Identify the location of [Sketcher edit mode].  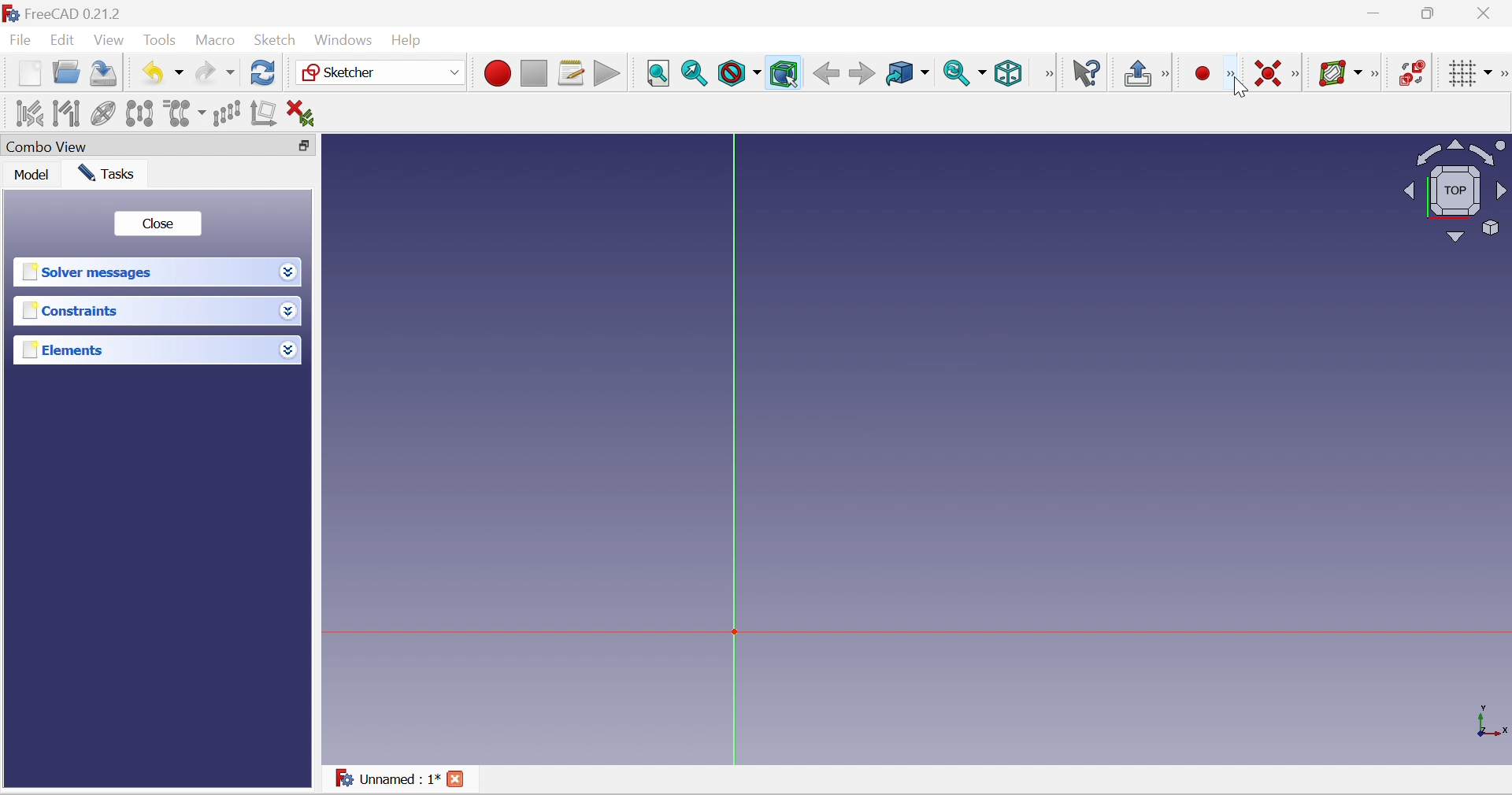
(1171, 75).